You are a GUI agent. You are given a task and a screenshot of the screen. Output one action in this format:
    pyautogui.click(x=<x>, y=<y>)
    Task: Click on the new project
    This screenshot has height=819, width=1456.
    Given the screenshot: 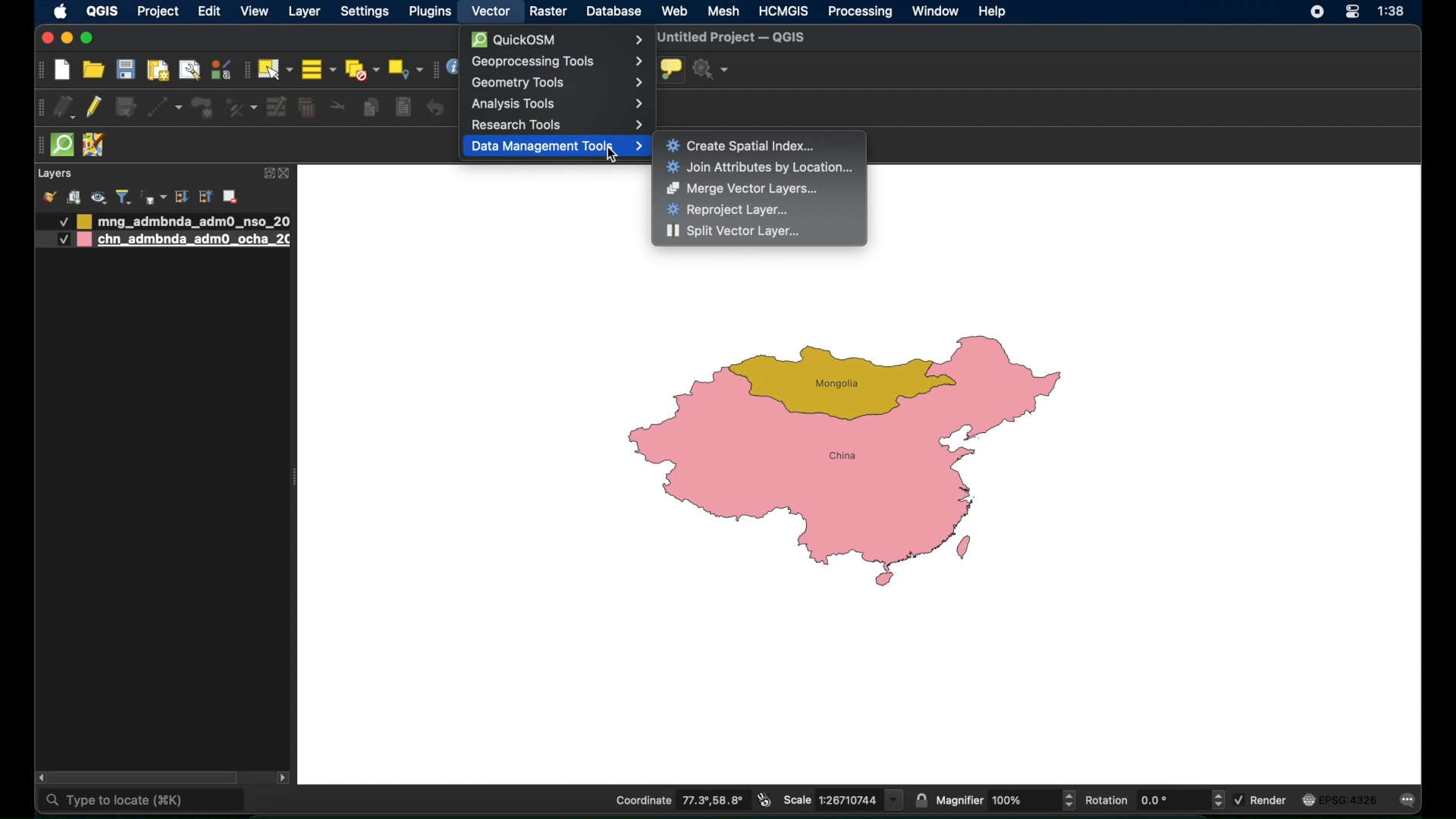 What is the action you would take?
    pyautogui.click(x=63, y=71)
    